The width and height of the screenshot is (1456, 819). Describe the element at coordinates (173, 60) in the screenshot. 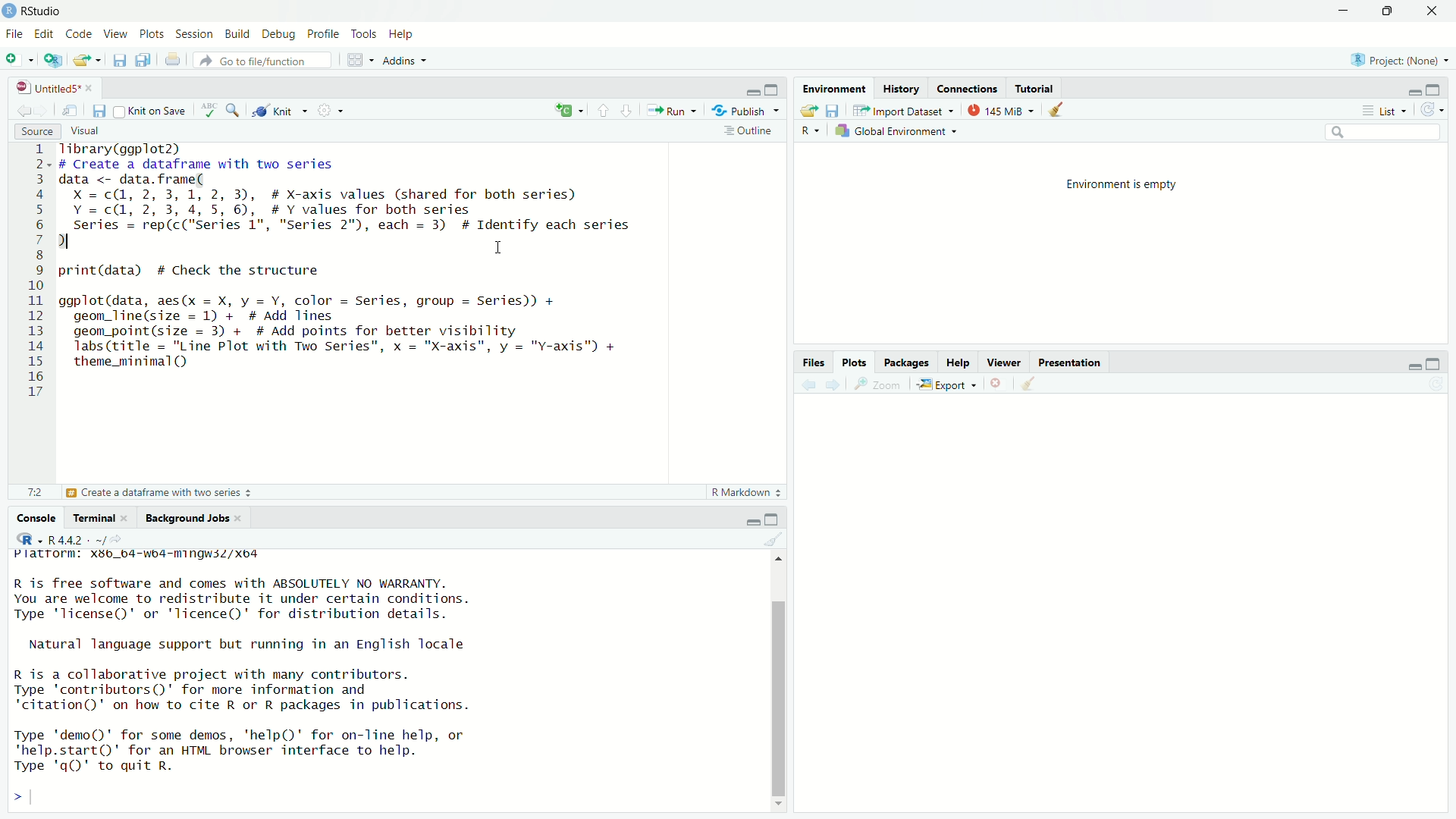

I see `Print the current file` at that location.